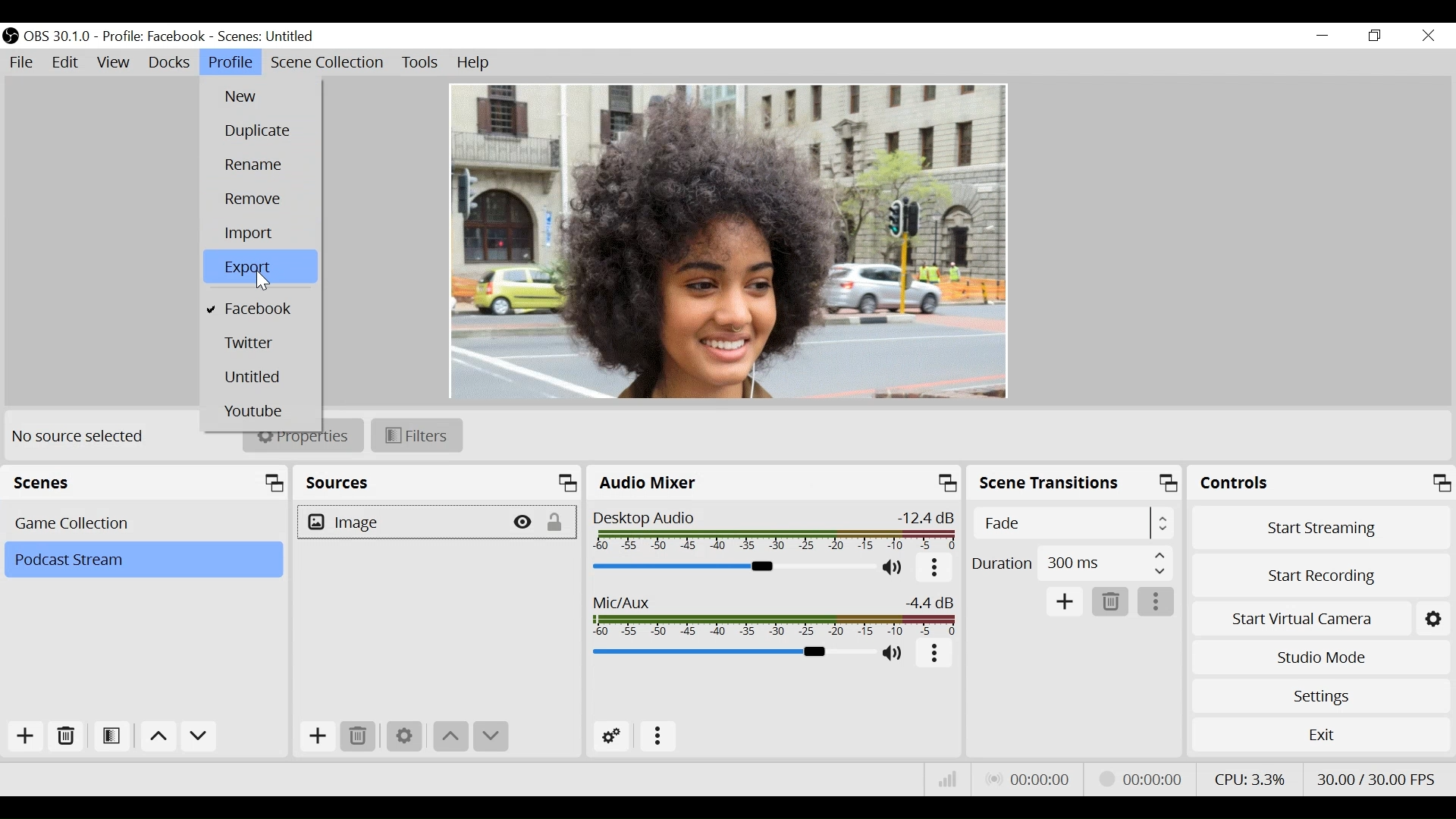 The height and width of the screenshot is (819, 1456). Describe the element at coordinates (732, 240) in the screenshot. I see `Preview` at that location.